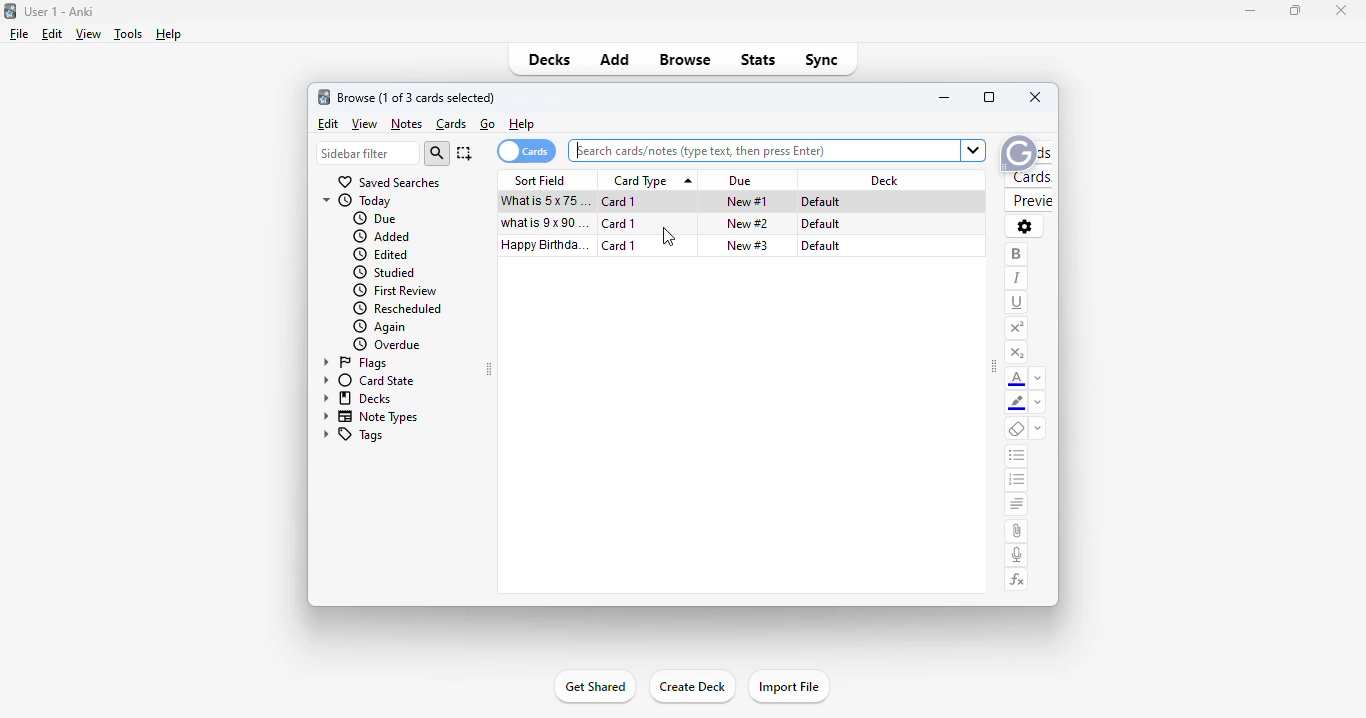  I want to click on change color, so click(1040, 378).